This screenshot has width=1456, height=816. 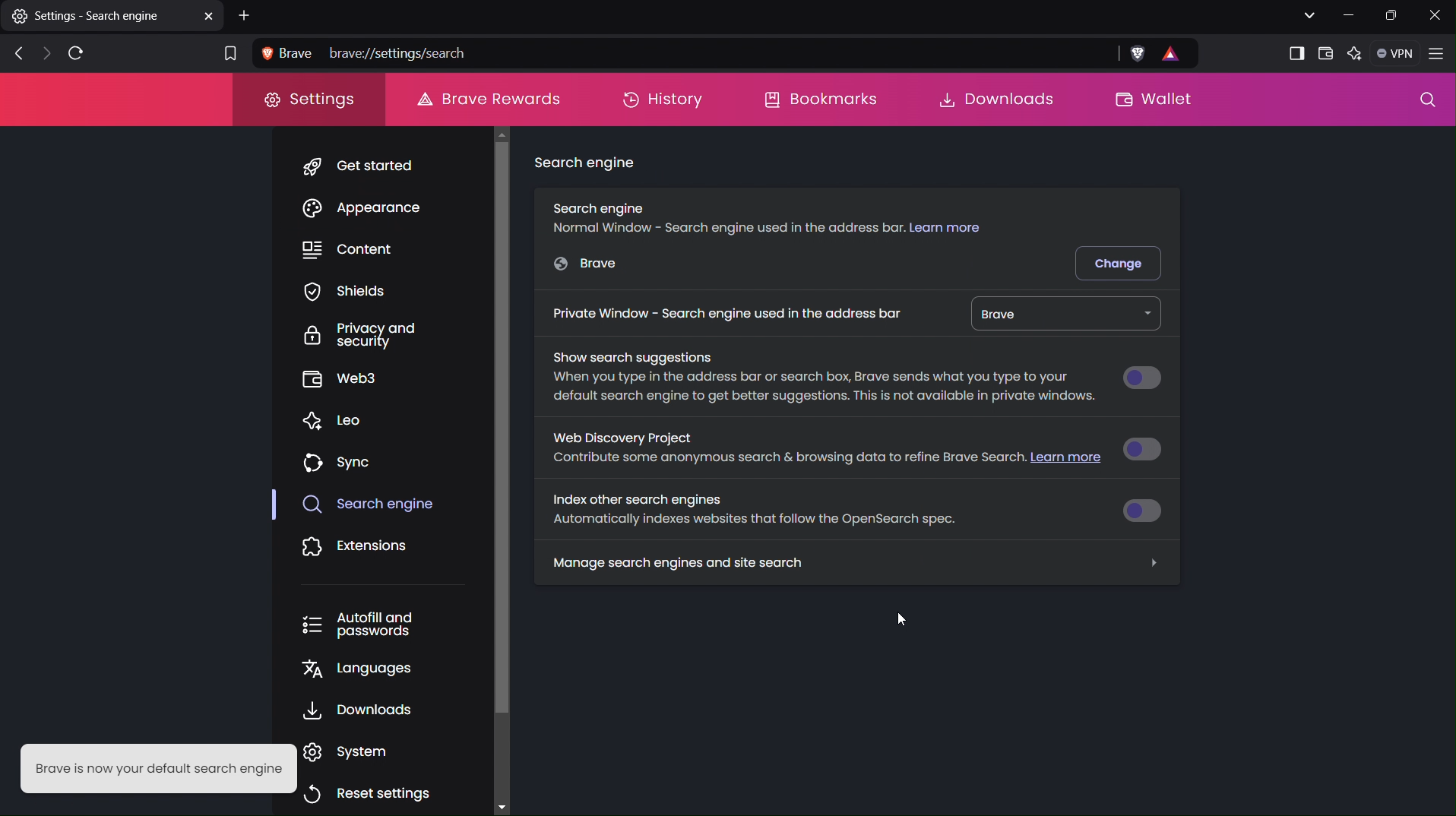 I want to click on System, so click(x=366, y=751).